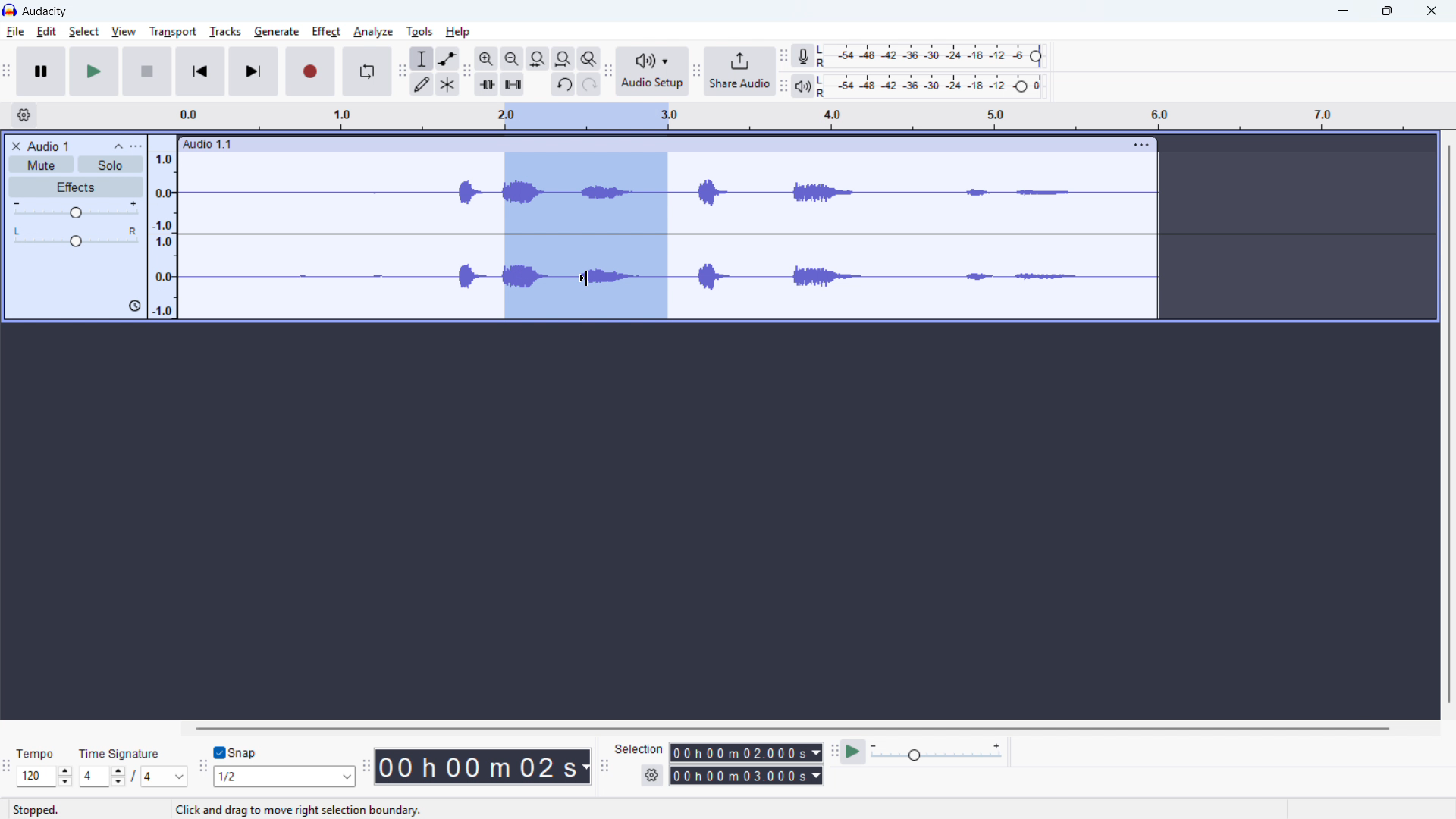 The height and width of the screenshot is (819, 1456). What do you see at coordinates (512, 84) in the screenshot?
I see `Silence audio selection` at bounding box center [512, 84].